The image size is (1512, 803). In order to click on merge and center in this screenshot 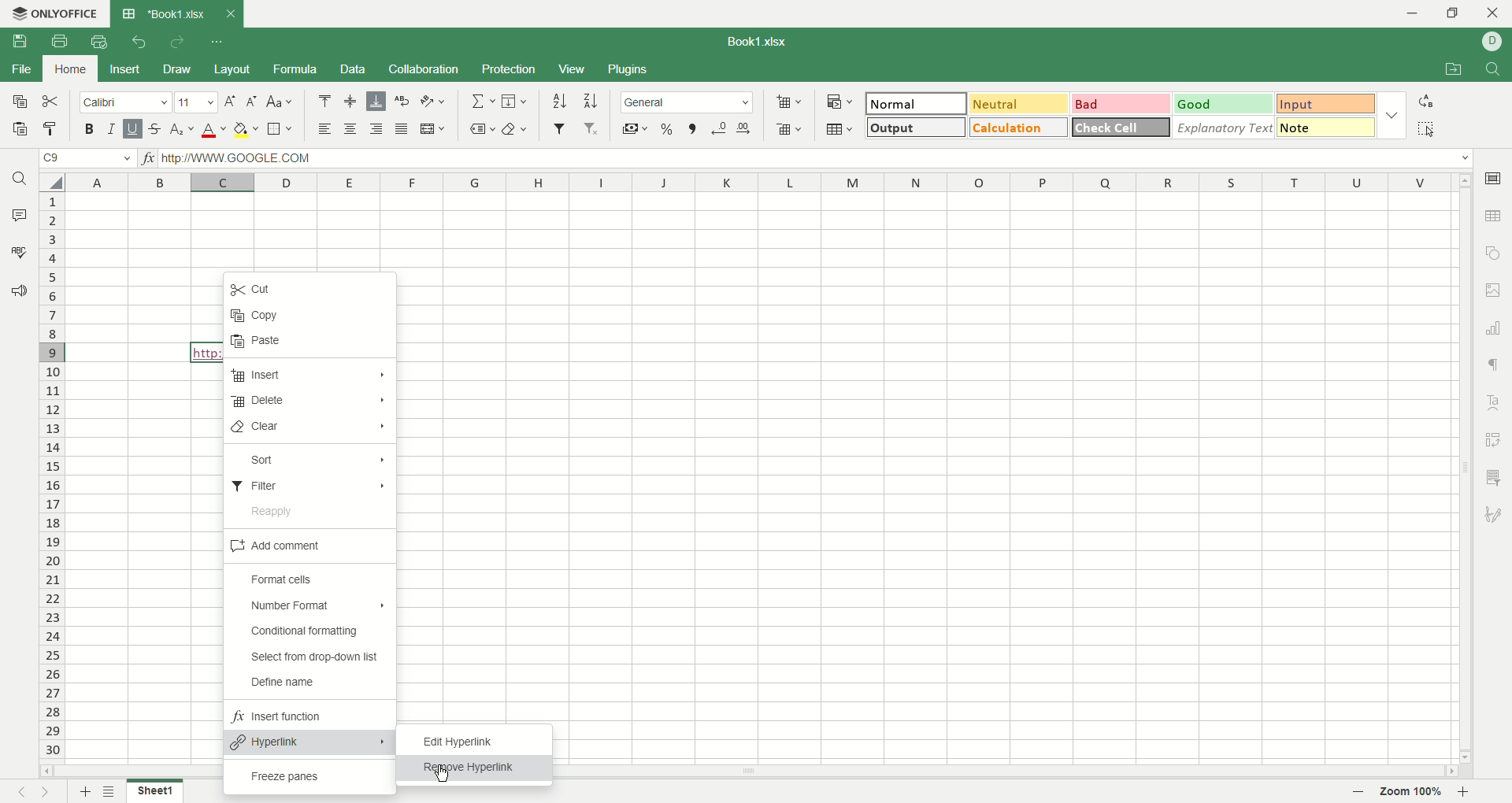, I will do `click(432, 130)`.